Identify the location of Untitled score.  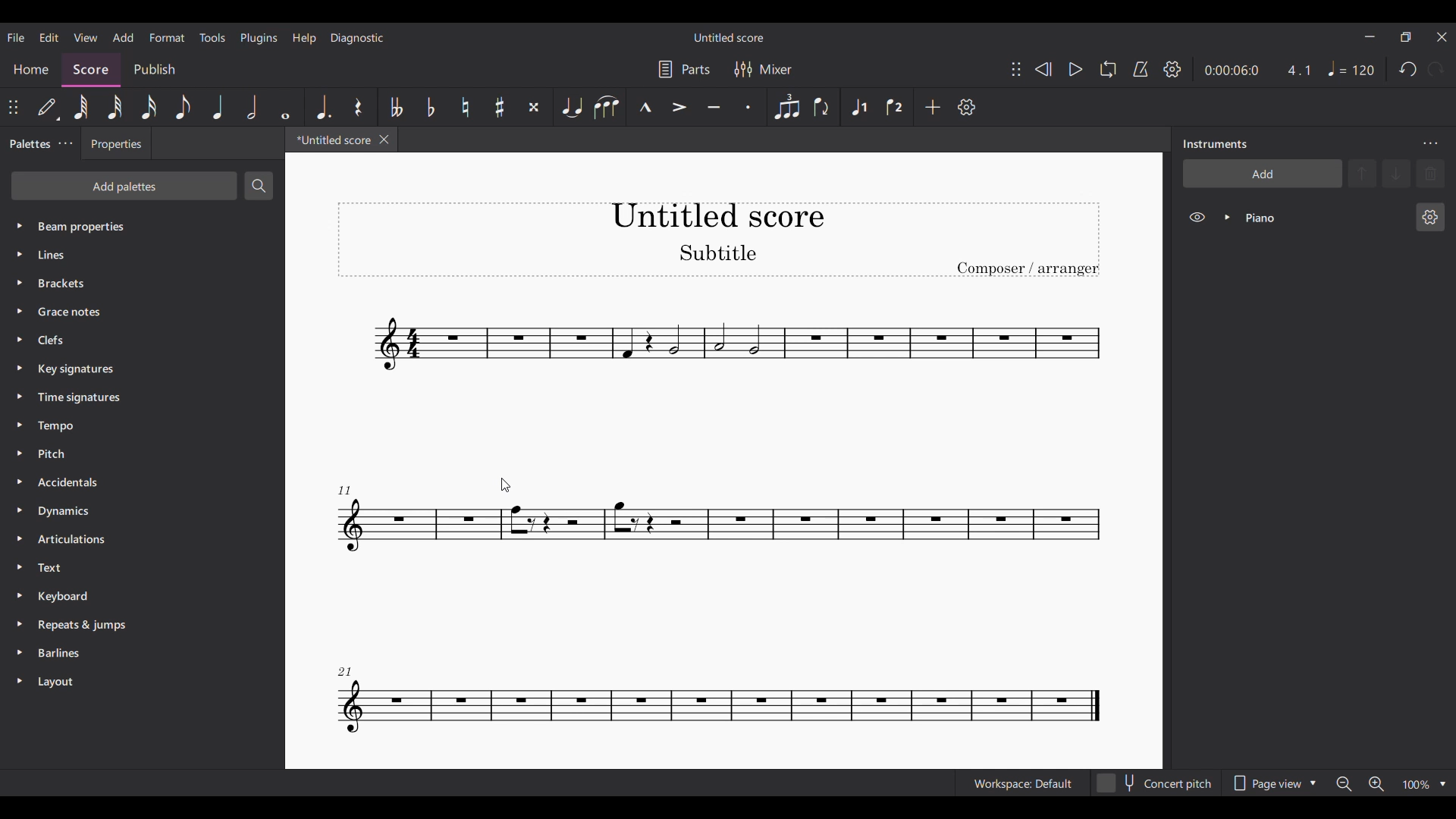
(728, 37).